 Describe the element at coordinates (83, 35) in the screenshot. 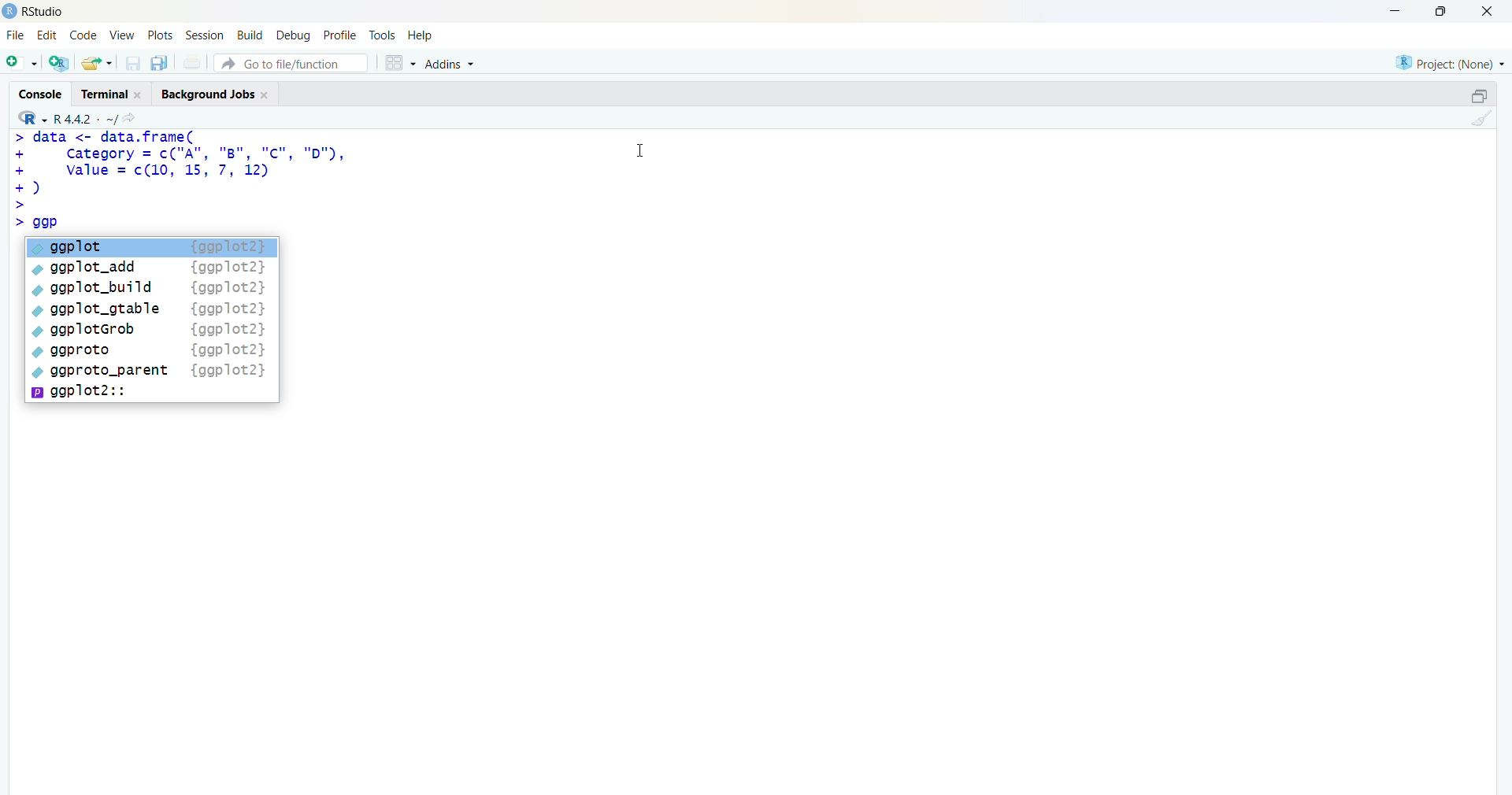

I see `code` at that location.